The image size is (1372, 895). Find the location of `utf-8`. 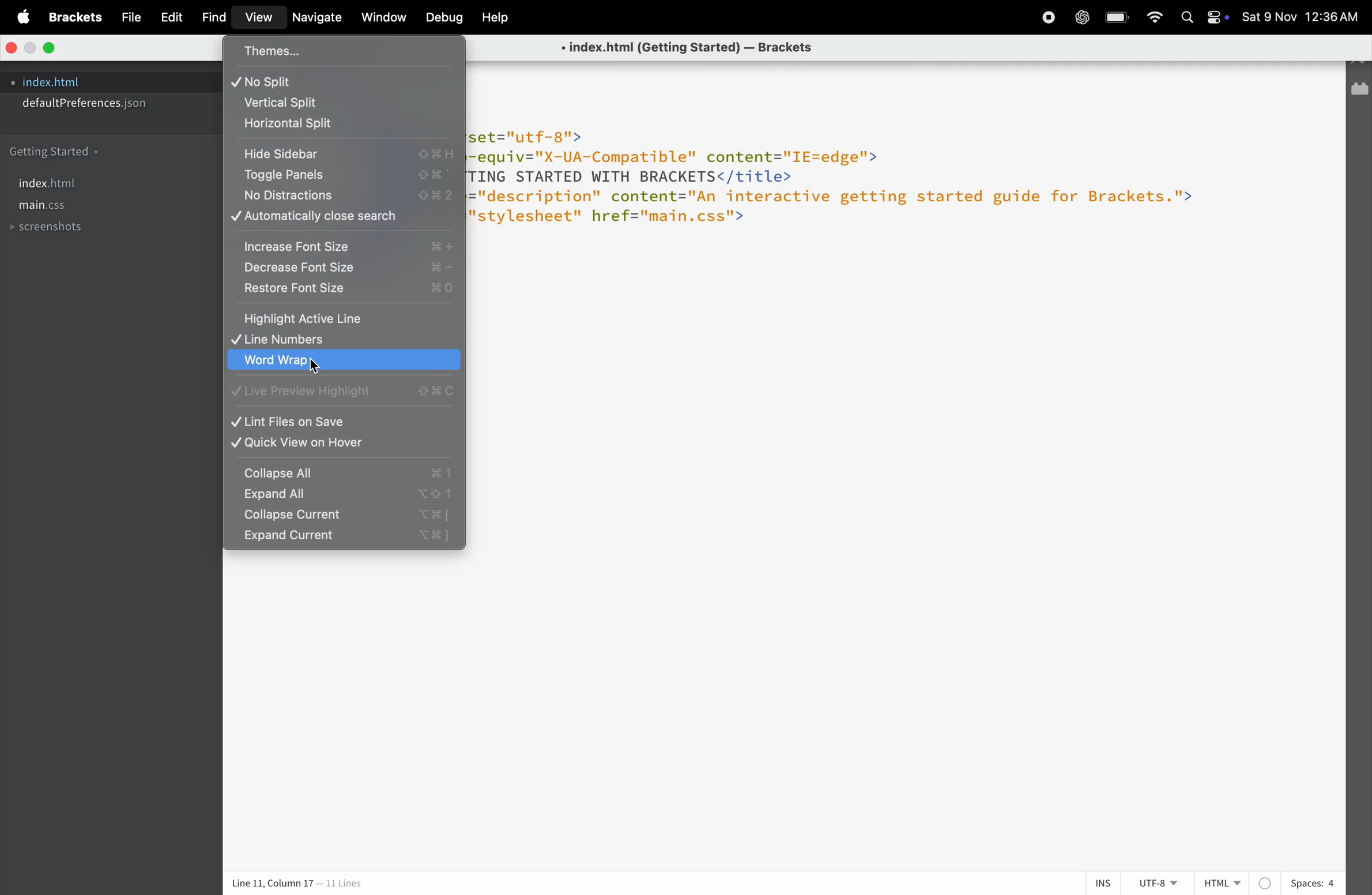

utf-8 is located at coordinates (1155, 883).